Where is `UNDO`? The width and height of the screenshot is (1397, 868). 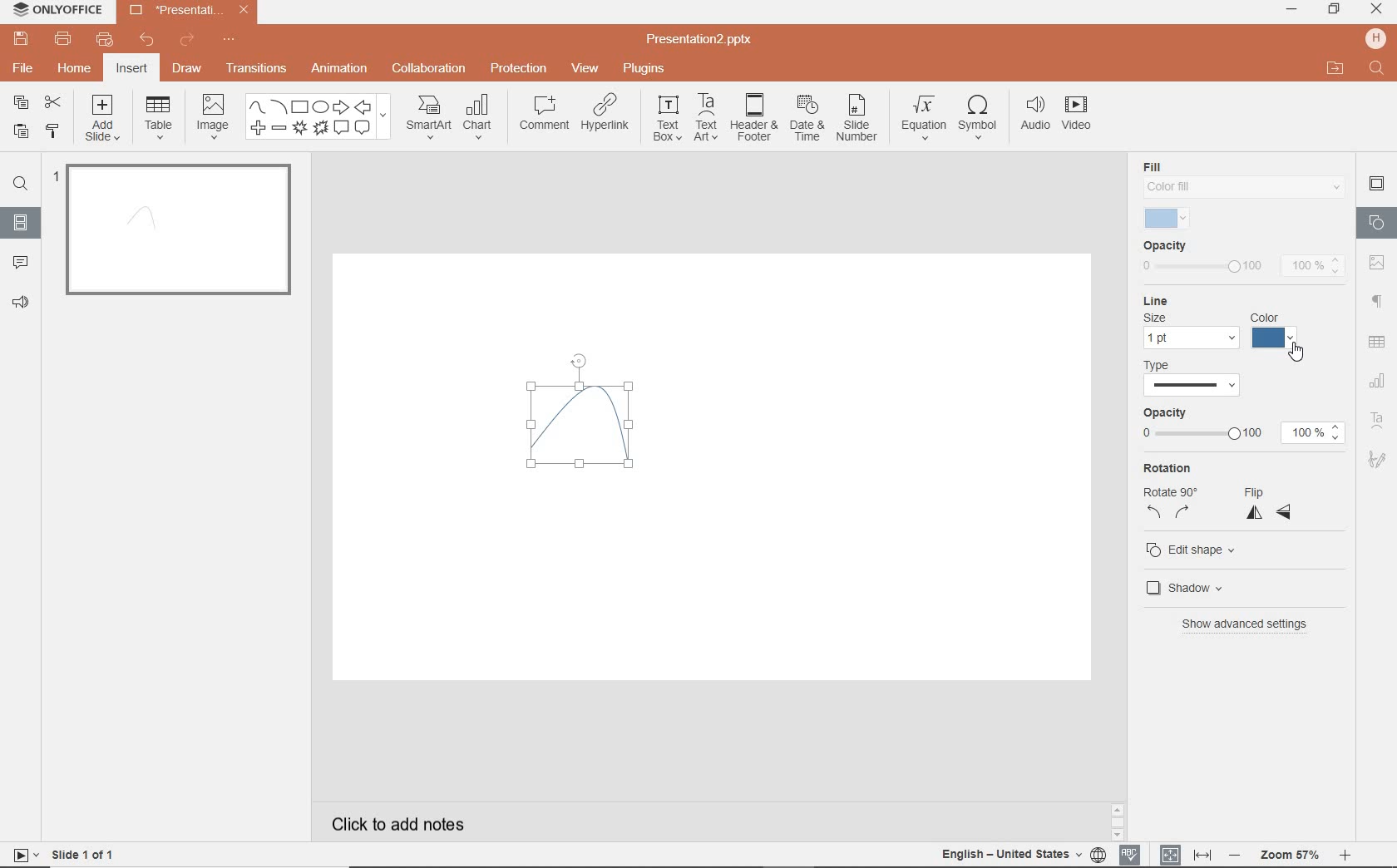
UNDO is located at coordinates (146, 42).